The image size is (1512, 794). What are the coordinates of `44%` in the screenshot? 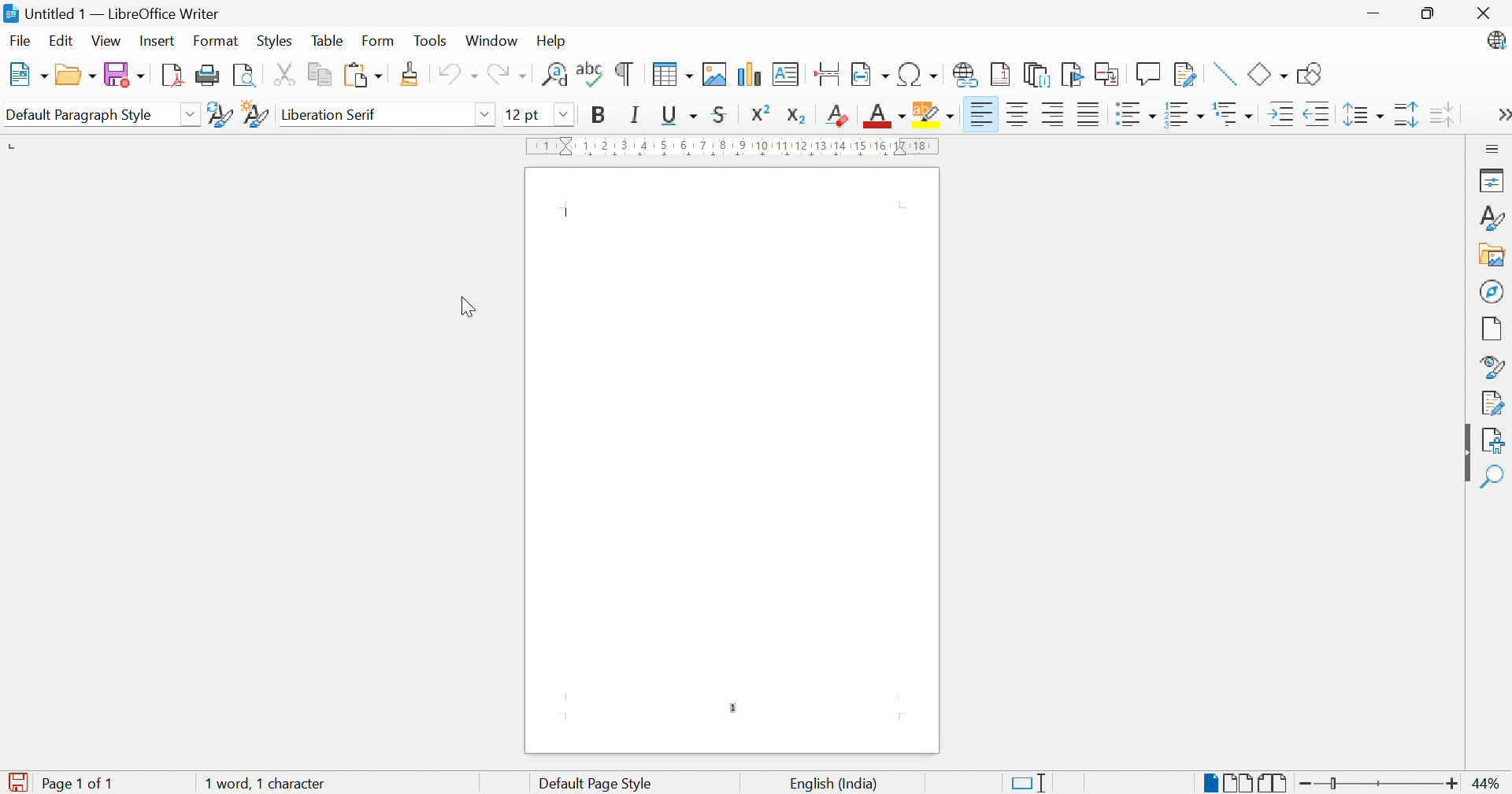 It's located at (1488, 784).